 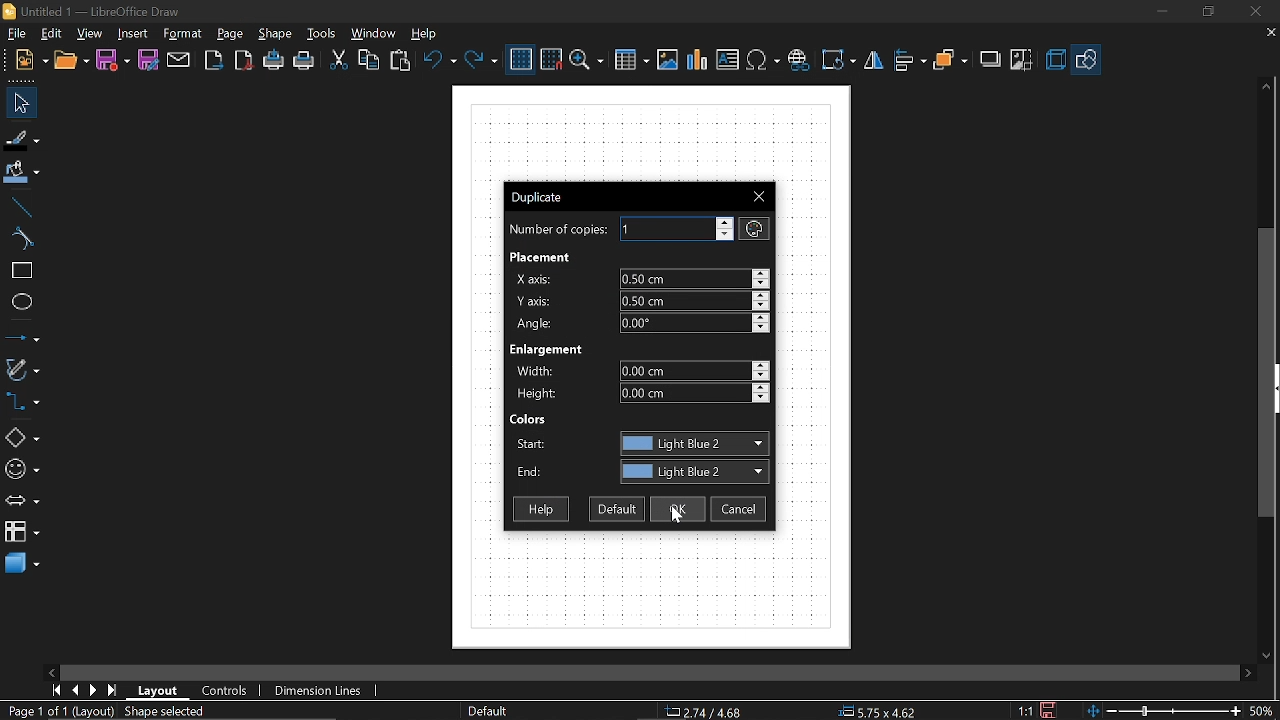 What do you see at coordinates (106, 712) in the screenshot?
I see `Current page` at bounding box center [106, 712].